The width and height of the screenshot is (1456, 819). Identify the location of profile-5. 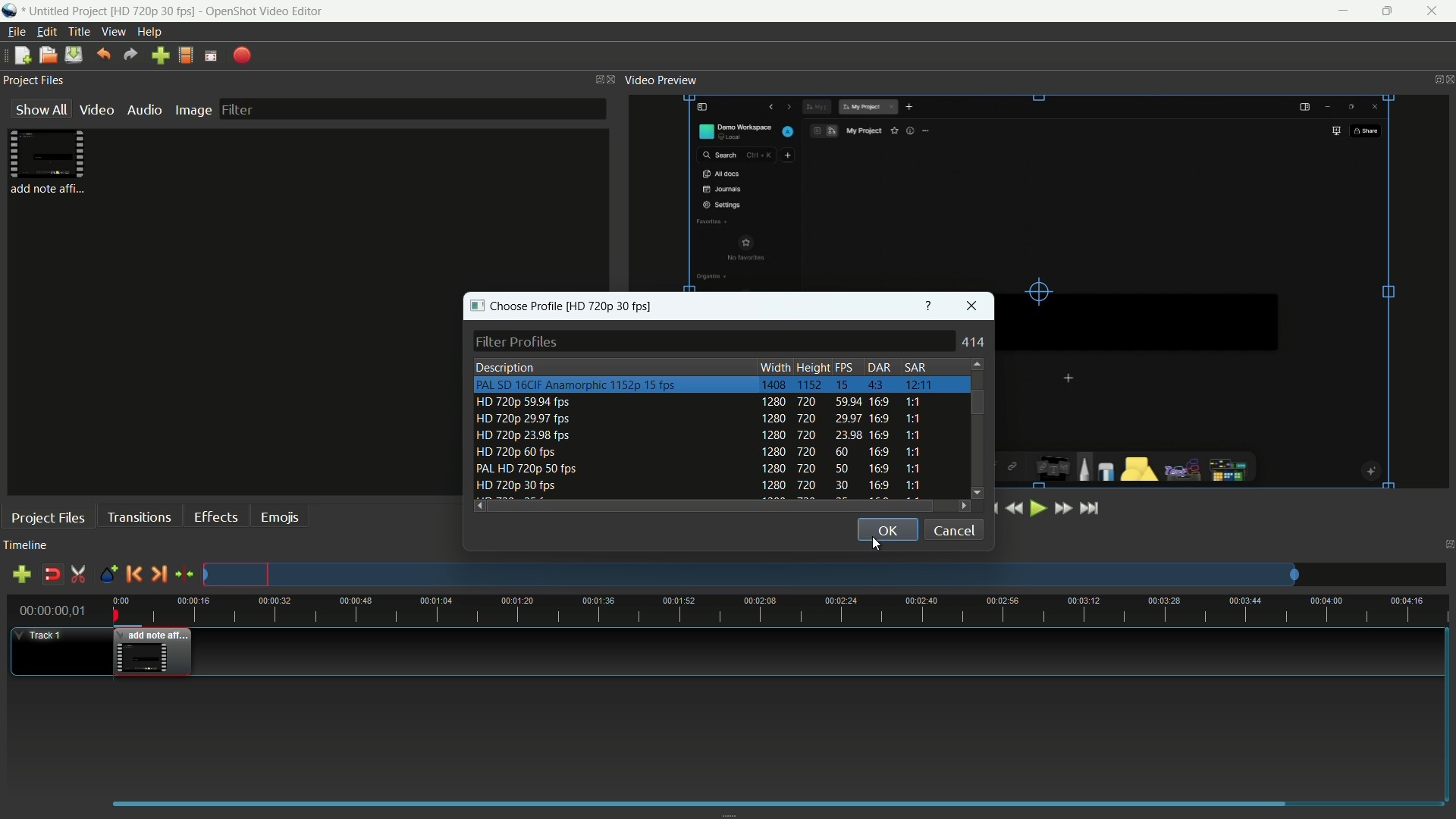
(701, 452).